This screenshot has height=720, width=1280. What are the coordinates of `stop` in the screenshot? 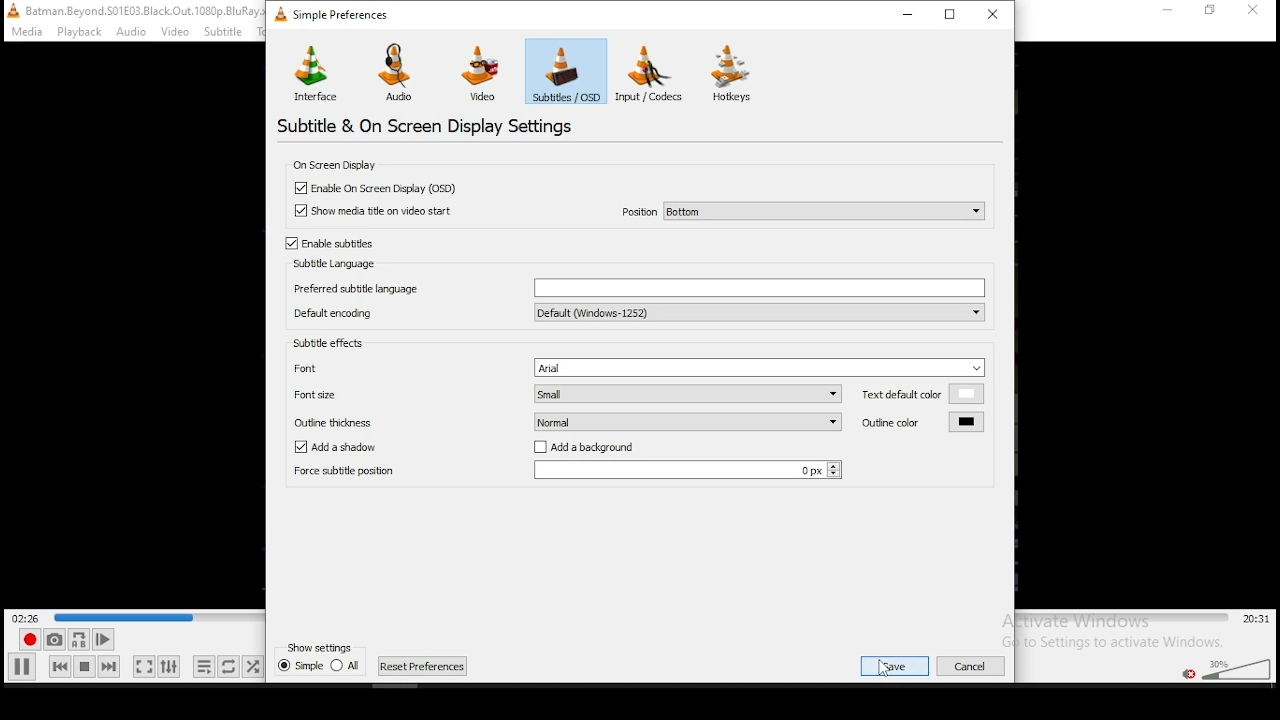 It's located at (84, 666).